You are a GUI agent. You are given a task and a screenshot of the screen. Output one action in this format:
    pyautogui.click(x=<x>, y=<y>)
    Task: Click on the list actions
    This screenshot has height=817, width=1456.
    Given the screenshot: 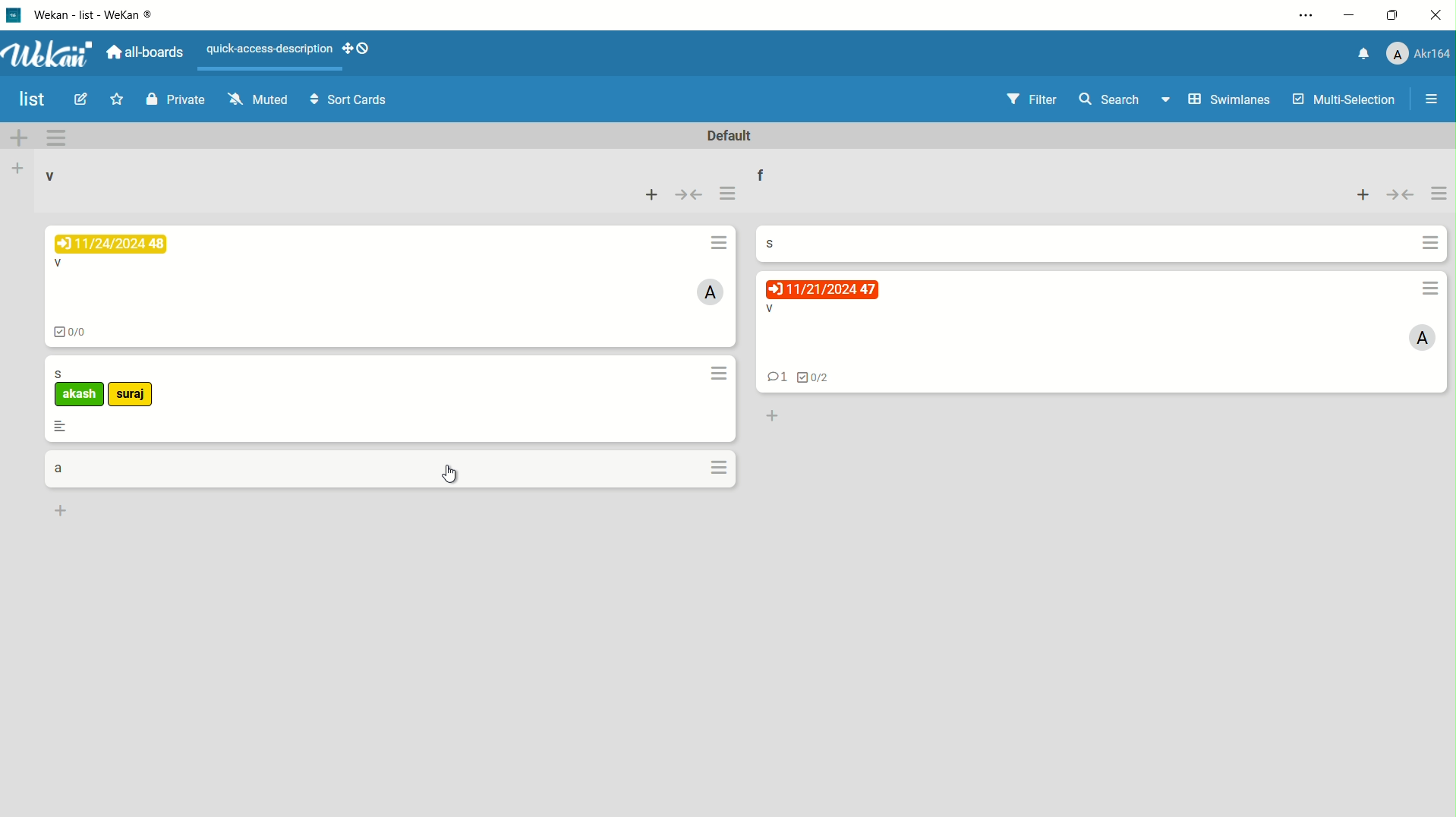 What is the action you would take?
    pyautogui.click(x=1439, y=194)
    